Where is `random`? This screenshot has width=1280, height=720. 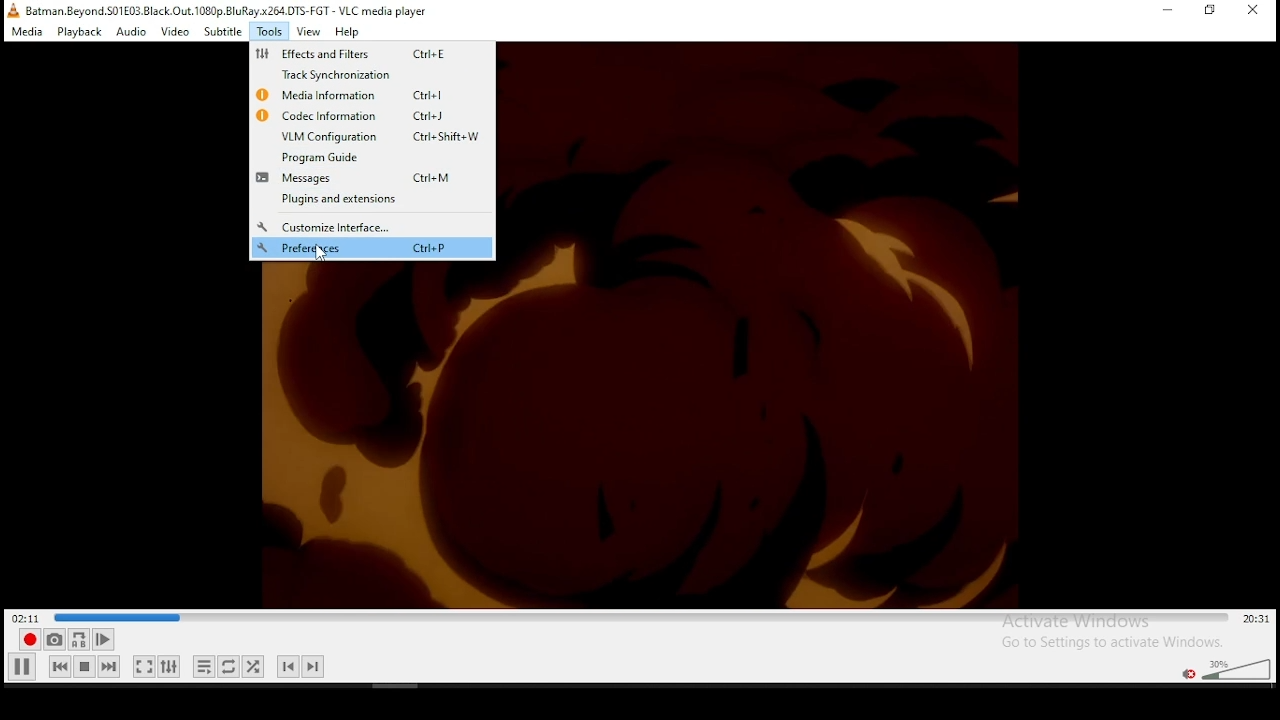 random is located at coordinates (253, 667).